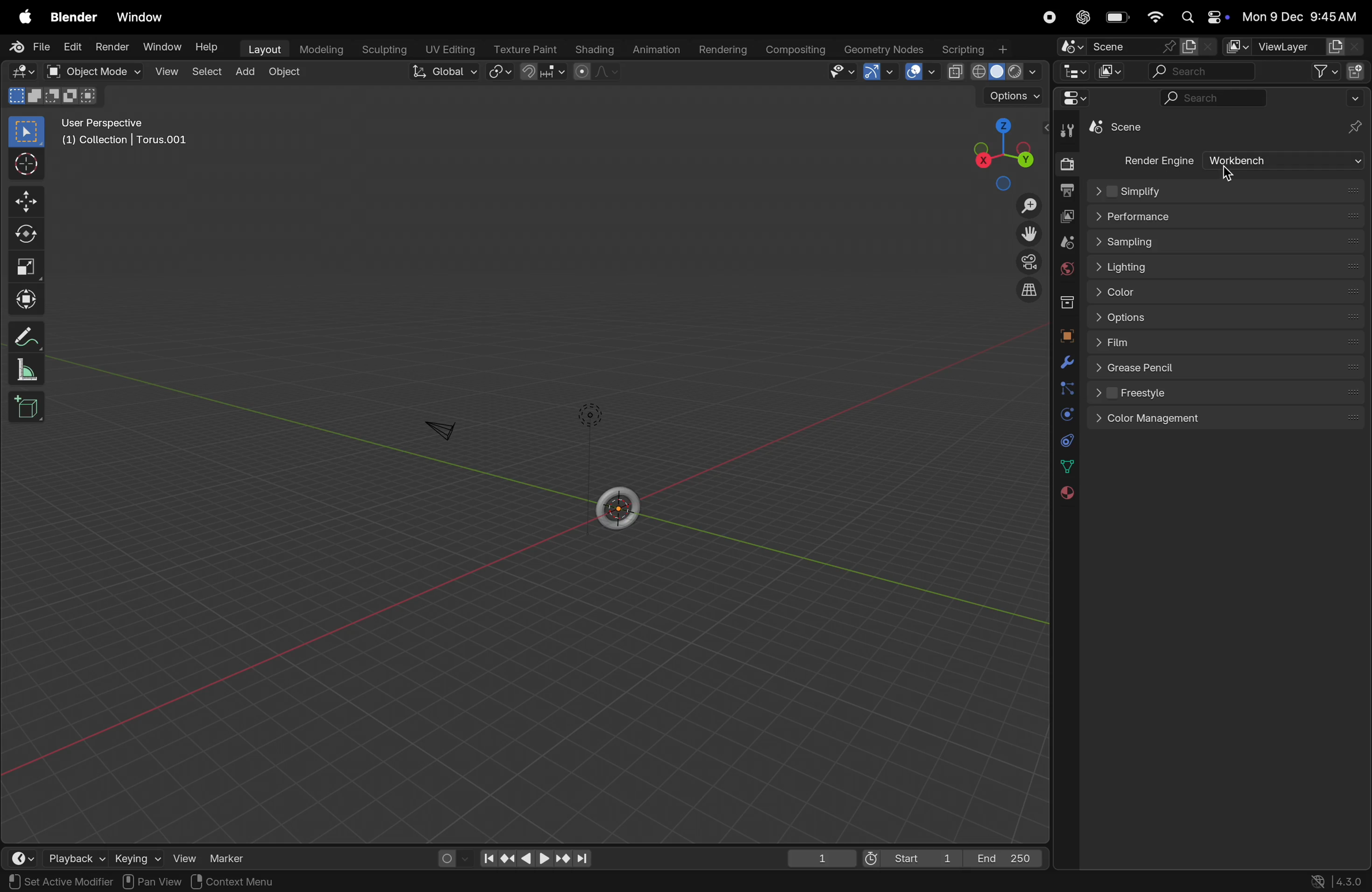 The height and width of the screenshot is (892, 1372). What do you see at coordinates (1226, 217) in the screenshot?
I see `performance` at bounding box center [1226, 217].